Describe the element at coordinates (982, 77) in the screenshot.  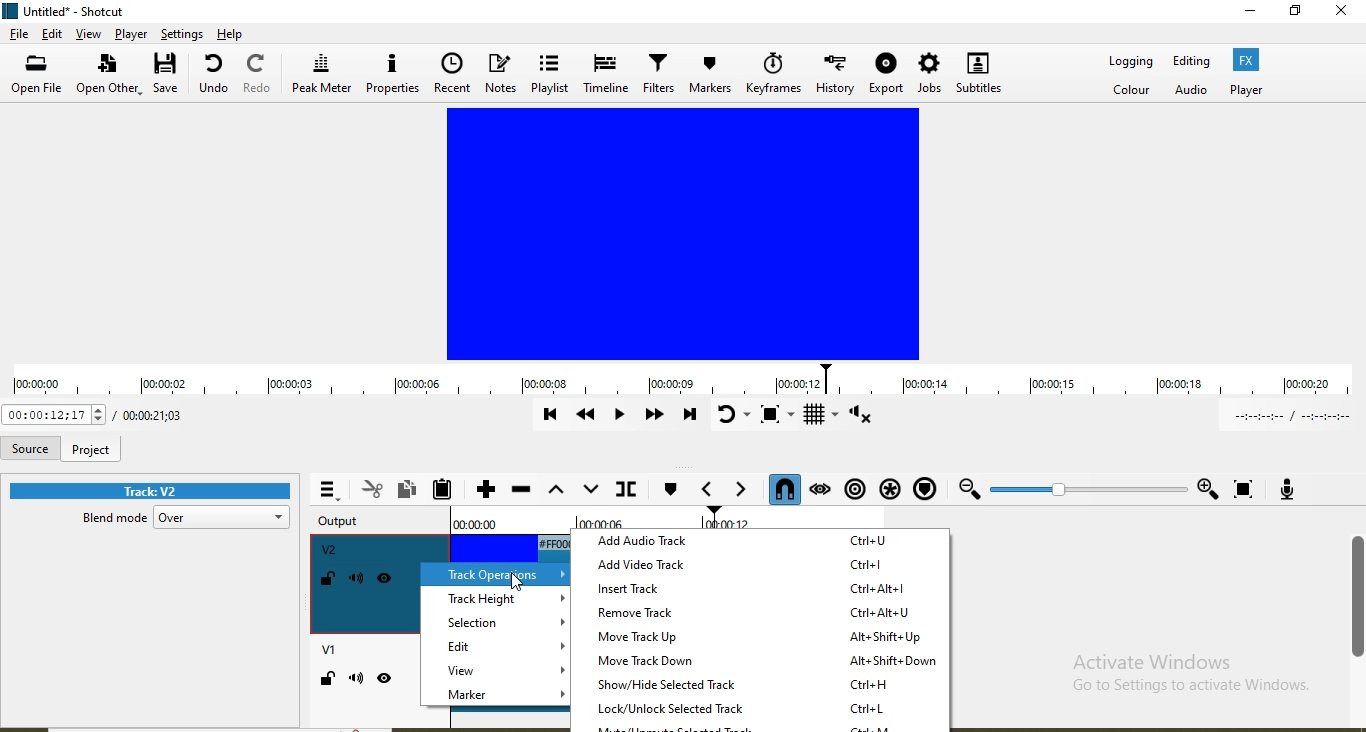
I see `Subtitles` at that location.